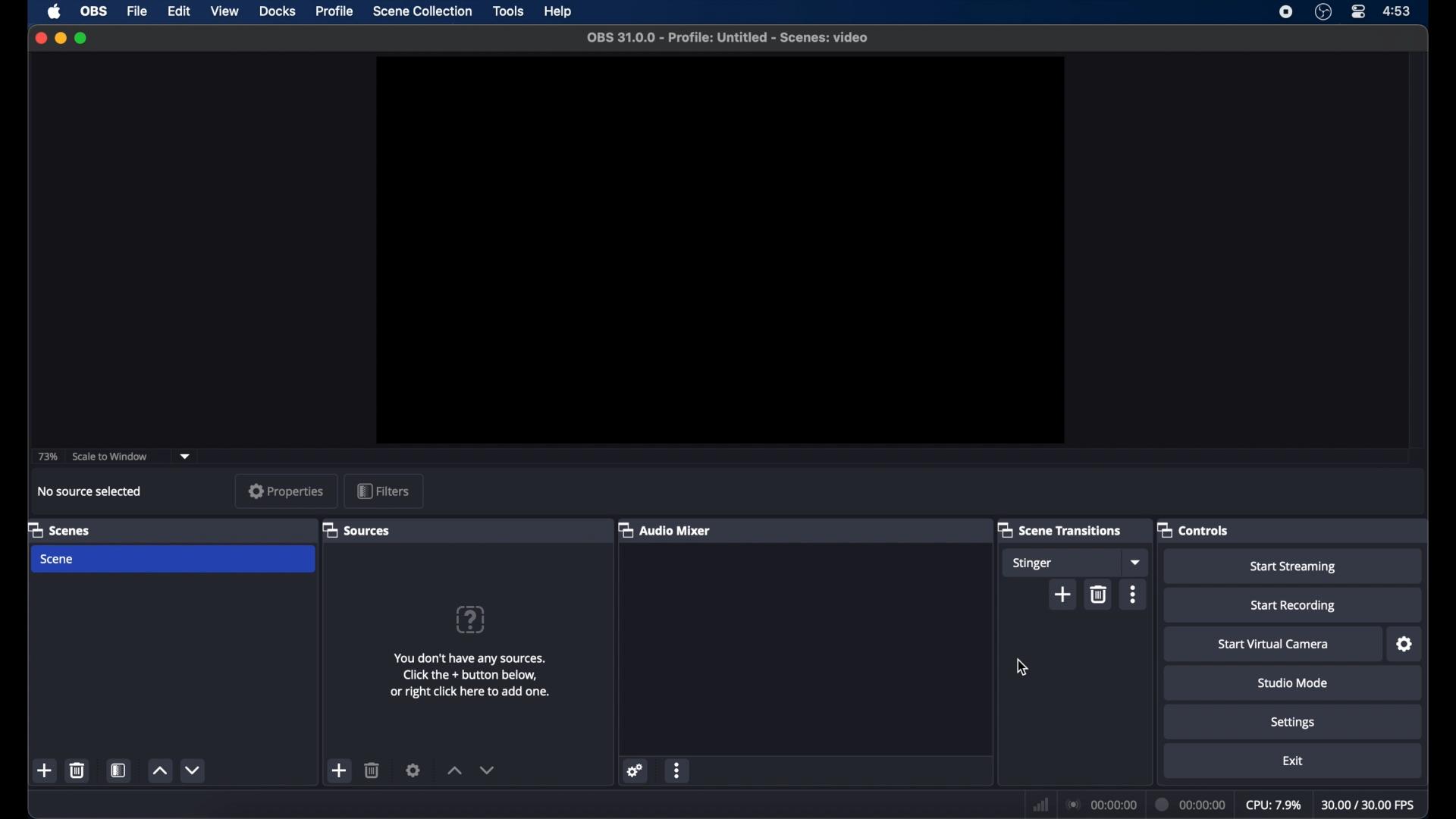 This screenshot has height=819, width=1456. What do you see at coordinates (1272, 804) in the screenshot?
I see `cpu` at bounding box center [1272, 804].